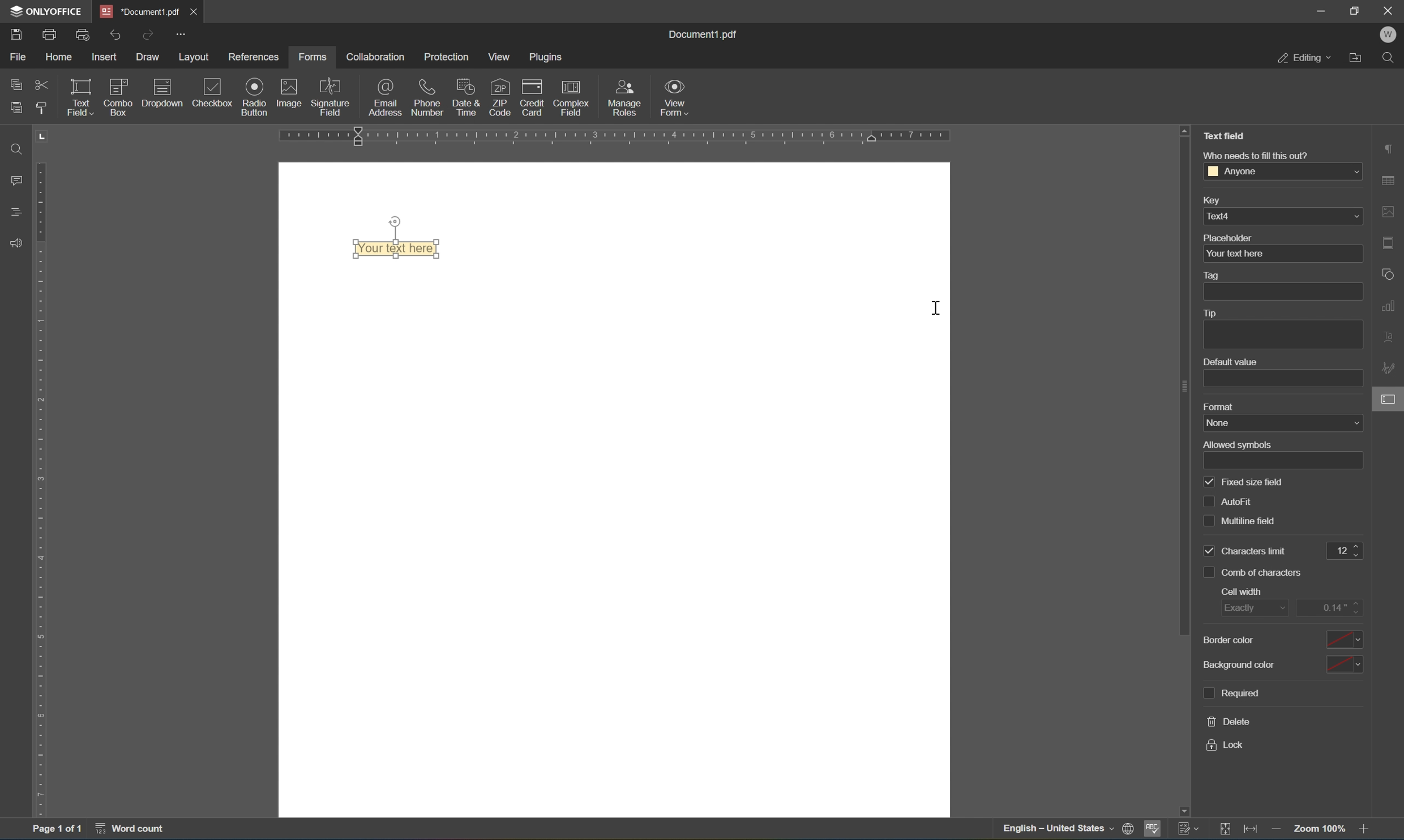  What do you see at coordinates (17, 36) in the screenshot?
I see `save` at bounding box center [17, 36].